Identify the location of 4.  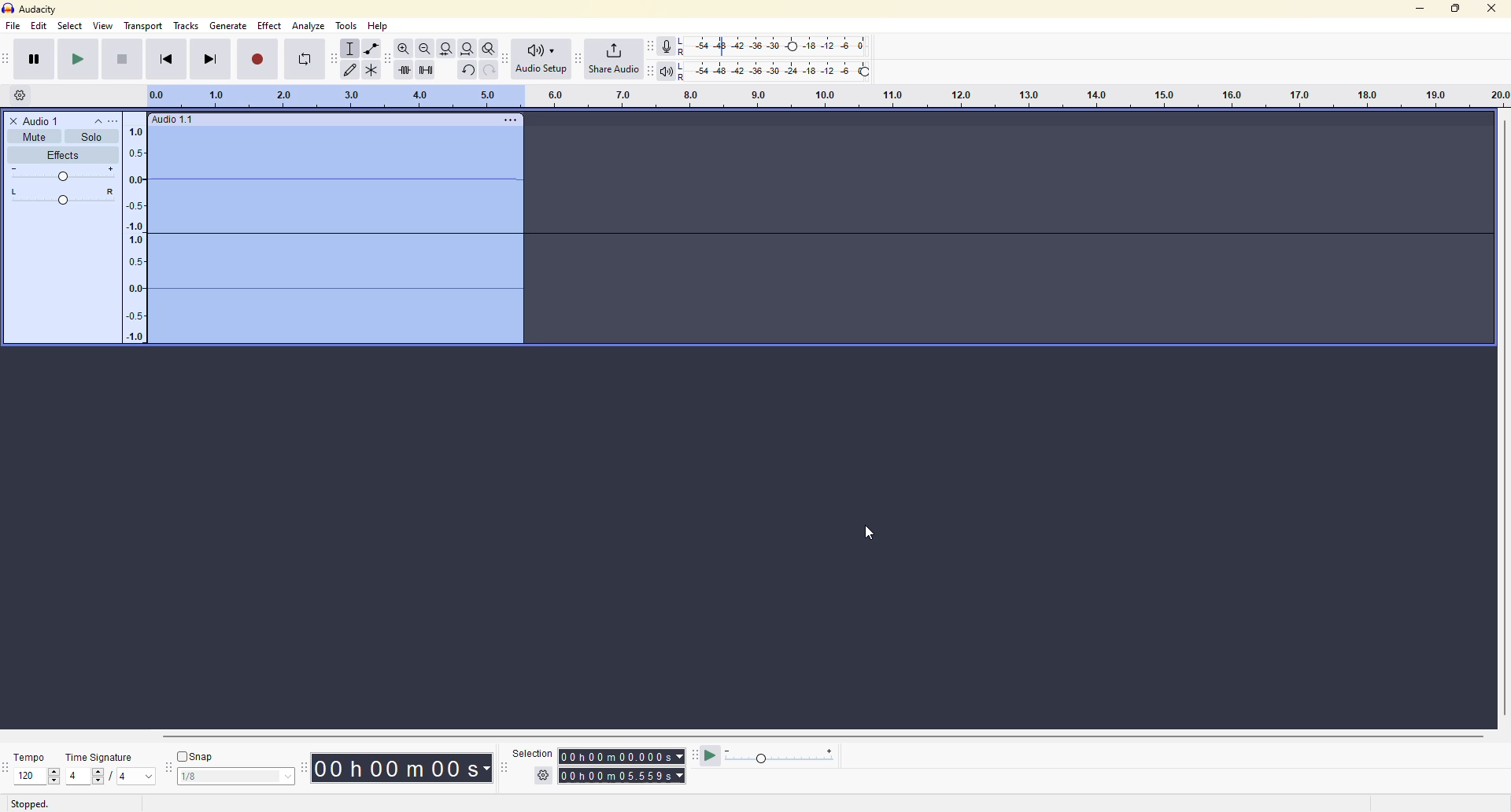
(74, 776).